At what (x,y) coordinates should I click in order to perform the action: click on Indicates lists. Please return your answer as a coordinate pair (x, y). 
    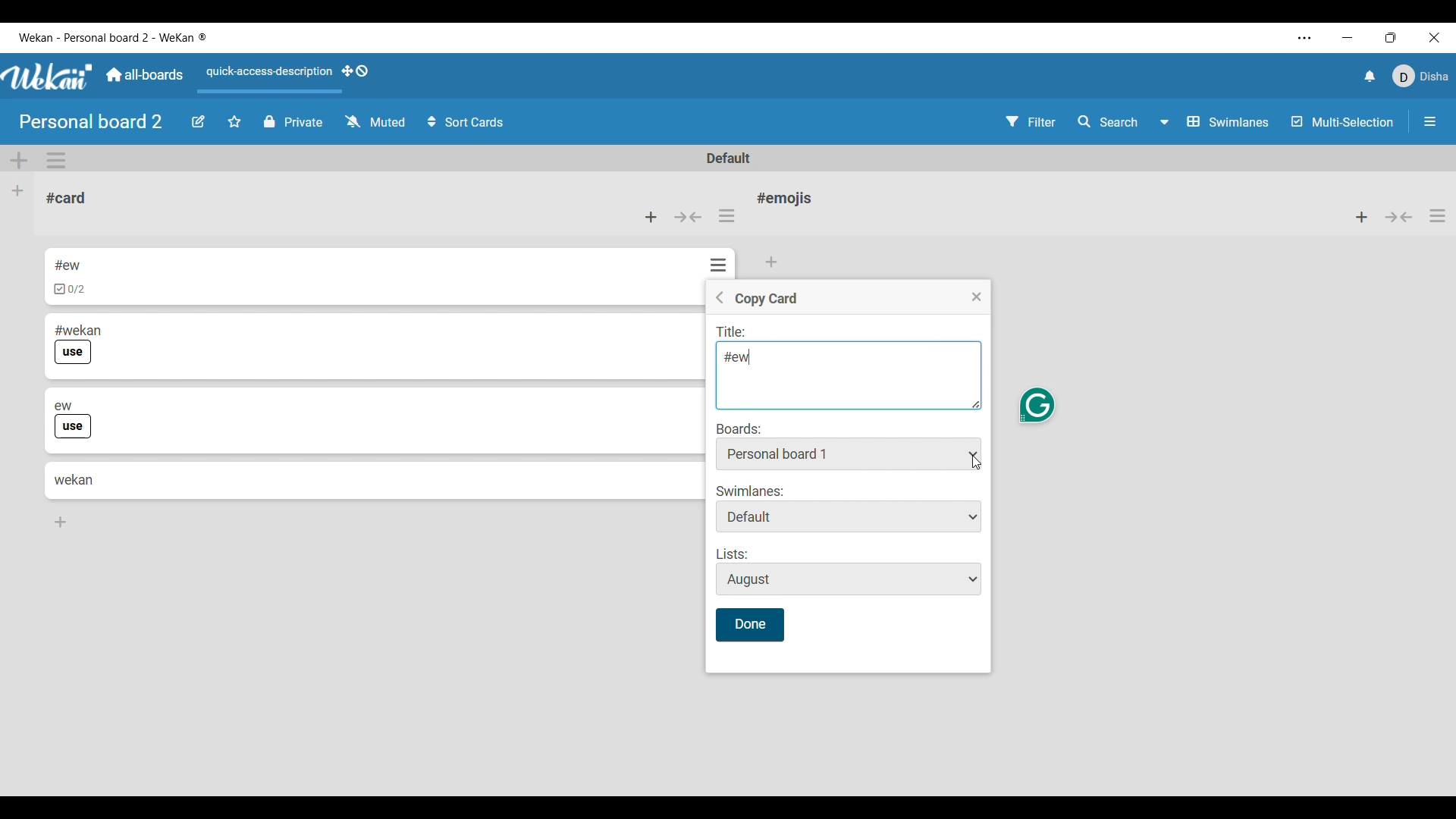
    Looking at the image, I should click on (734, 554).